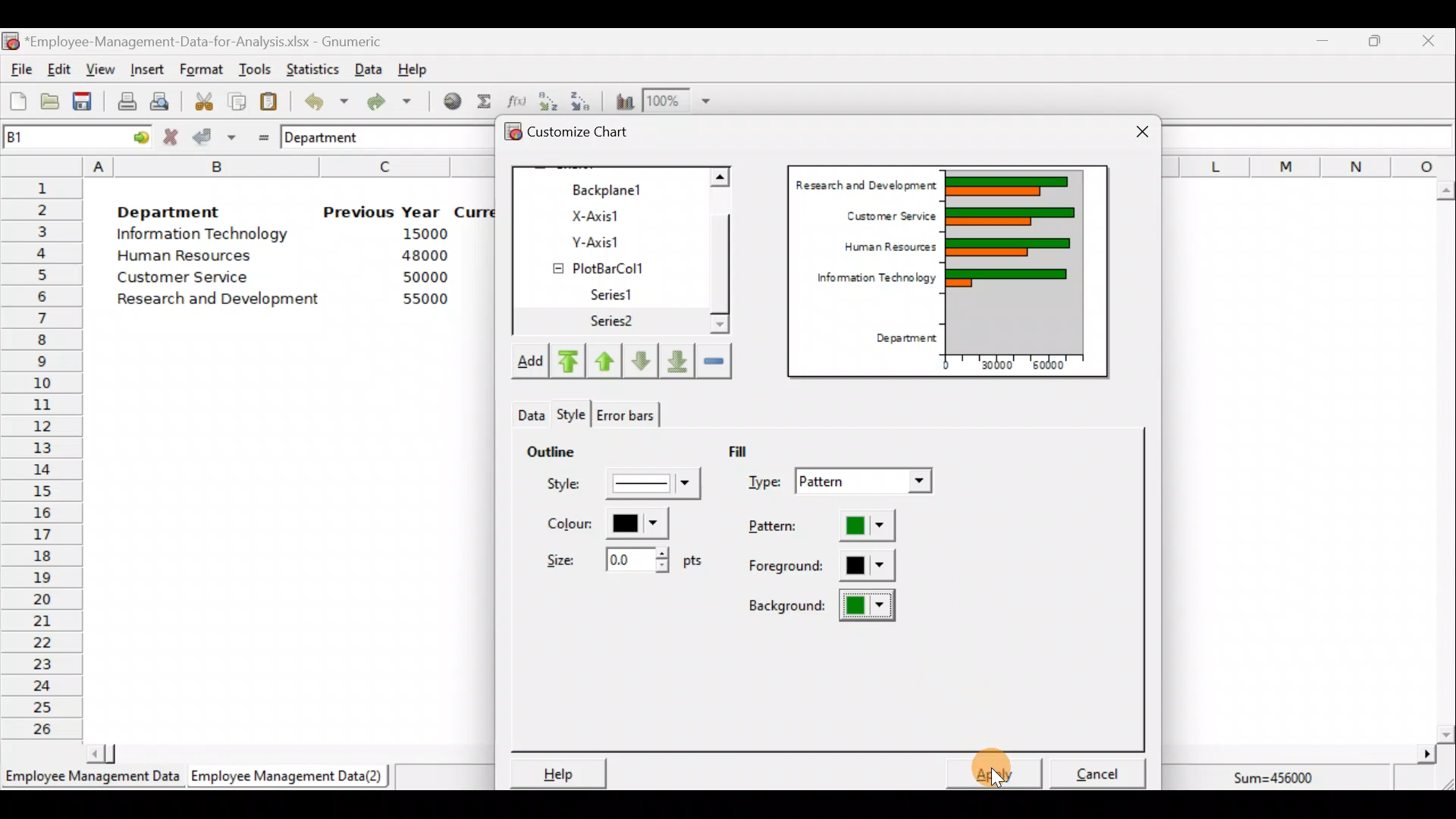 Image resolution: width=1456 pixels, height=819 pixels. Describe the element at coordinates (331, 136) in the screenshot. I see `Department` at that location.